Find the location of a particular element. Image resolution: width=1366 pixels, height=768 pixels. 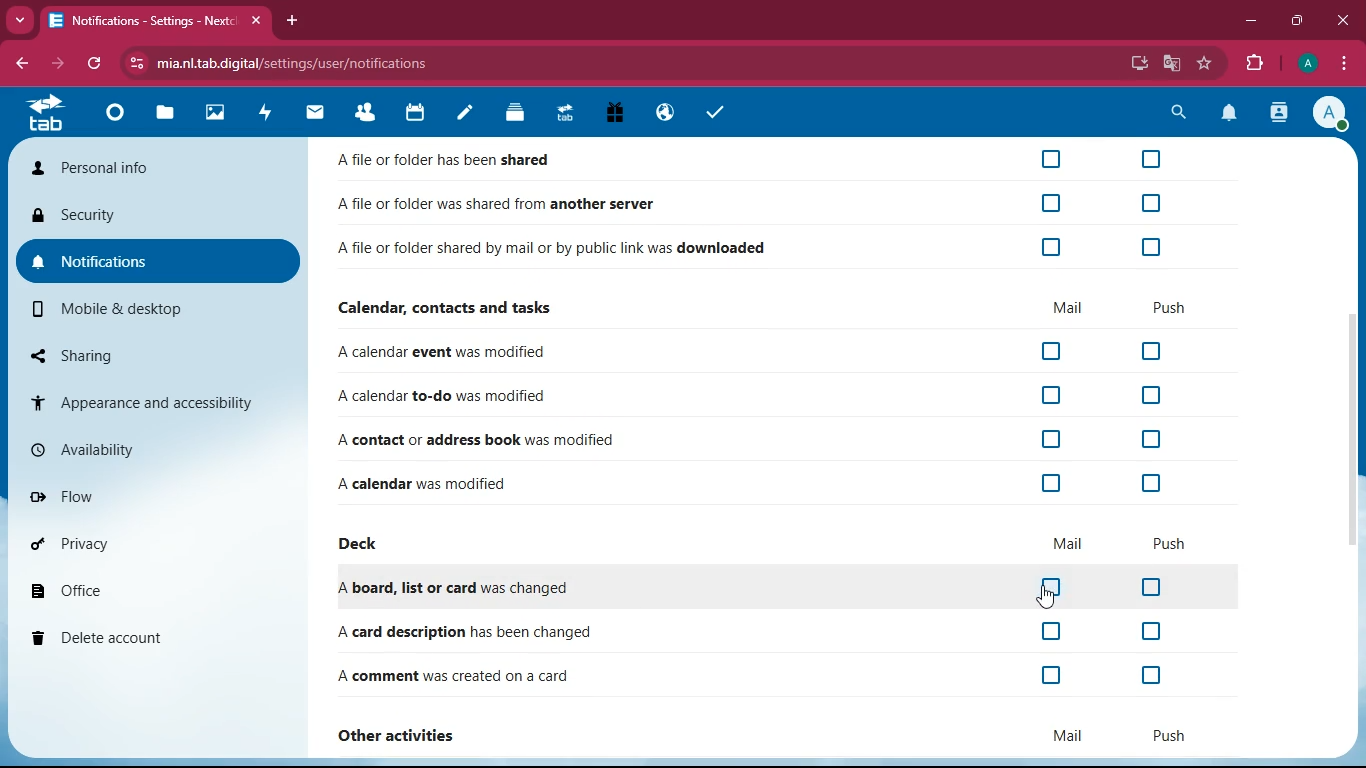

off is located at coordinates (1153, 347).